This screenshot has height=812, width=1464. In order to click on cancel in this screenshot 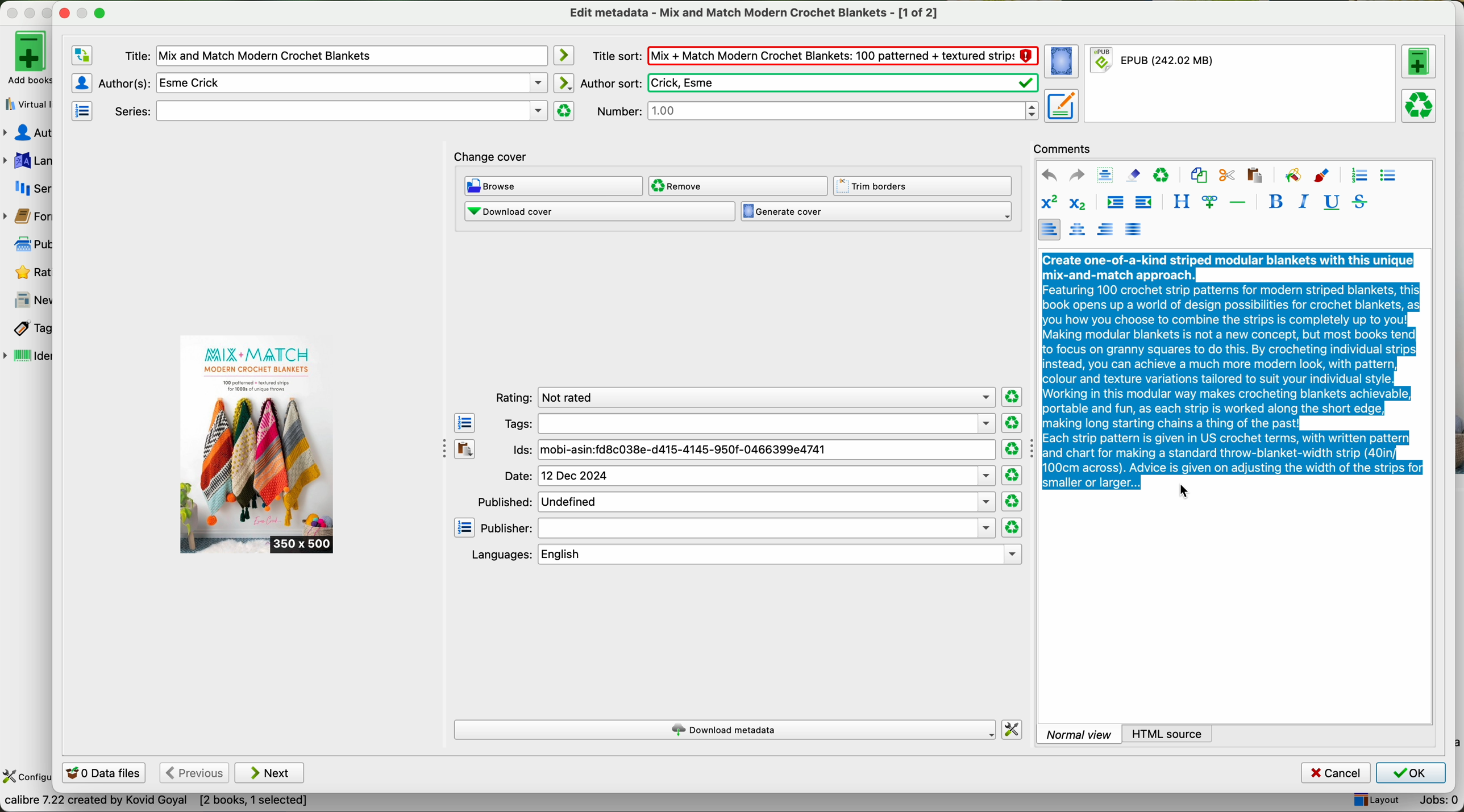, I will do `click(1337, 773)`.